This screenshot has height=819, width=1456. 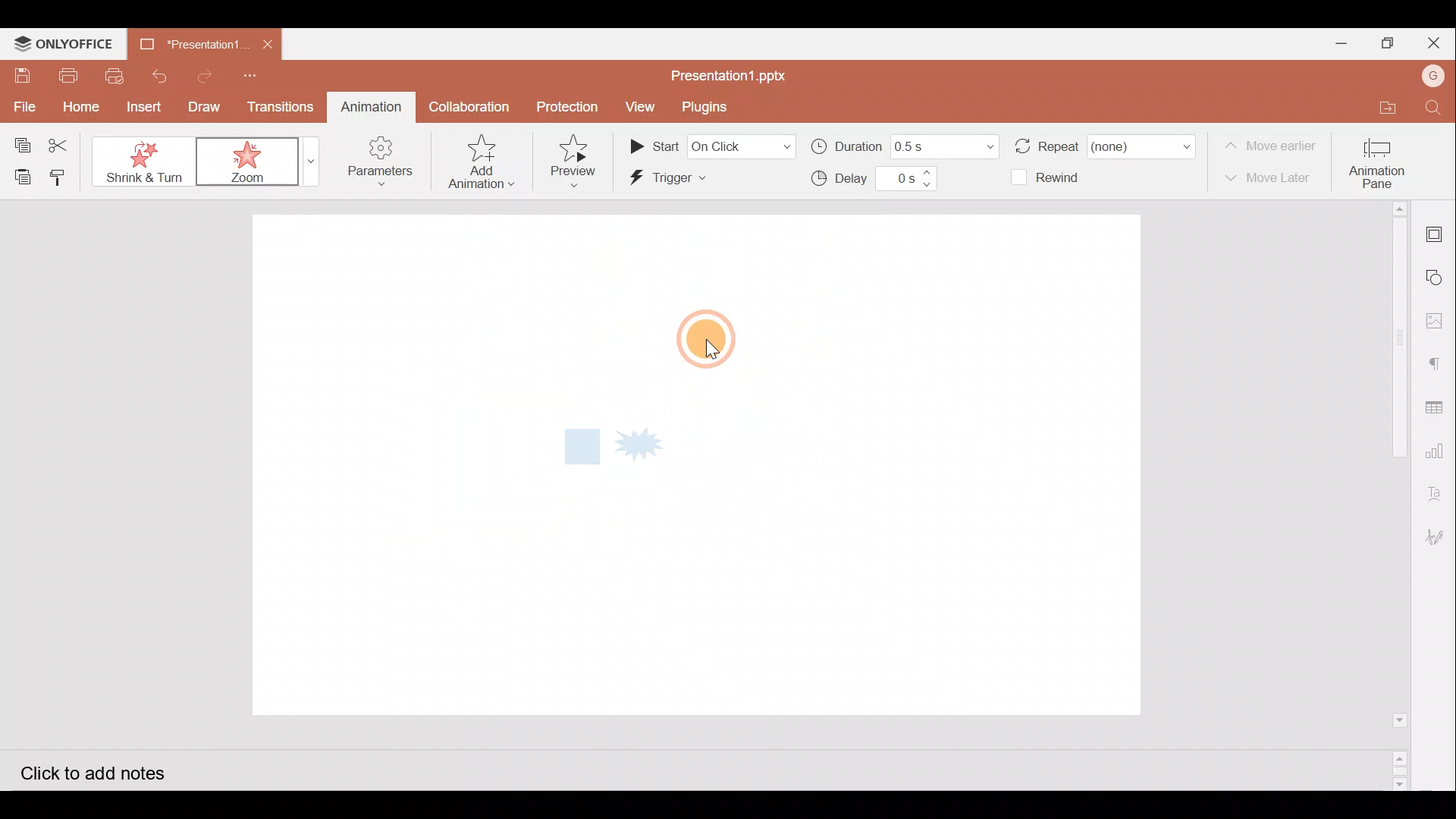 What do you see at coordinates (467, 105) in the screenshot?
I see `Collaboration` at bounding box center [467, 105].